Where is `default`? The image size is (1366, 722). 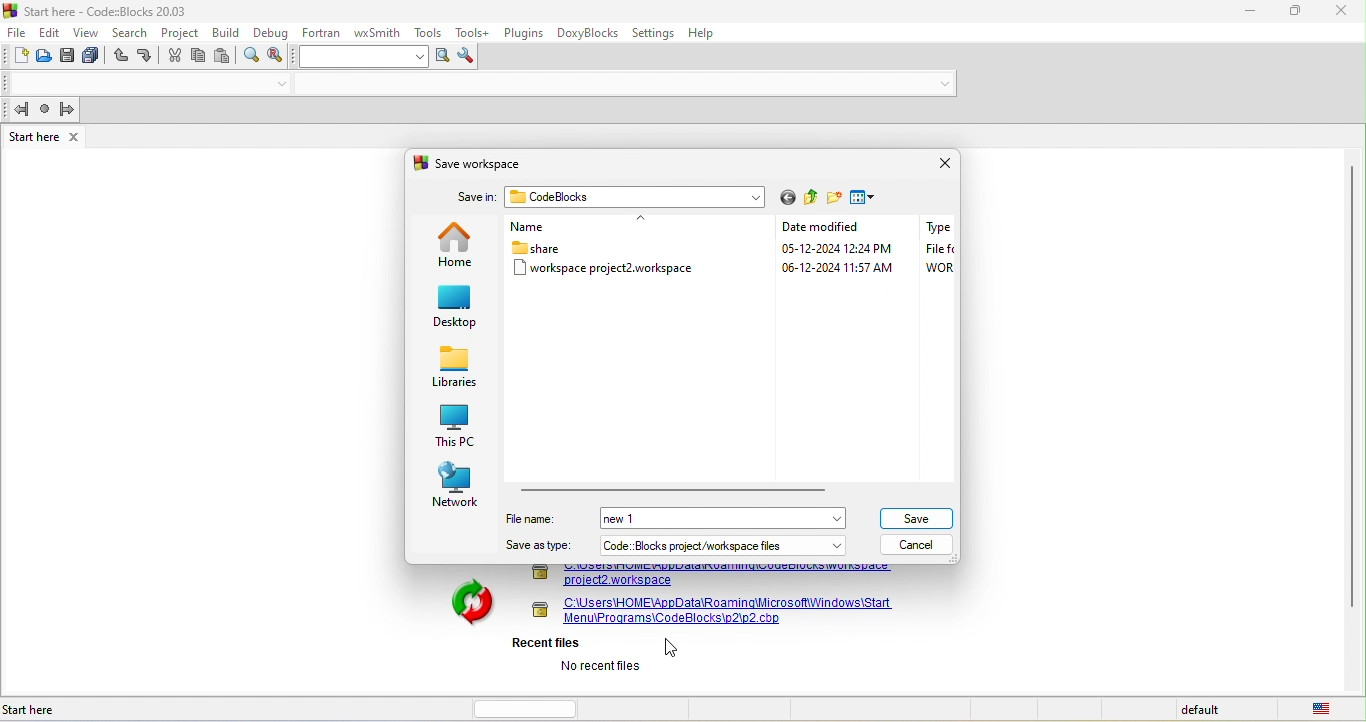
default is located at coordinates (1203, 710).